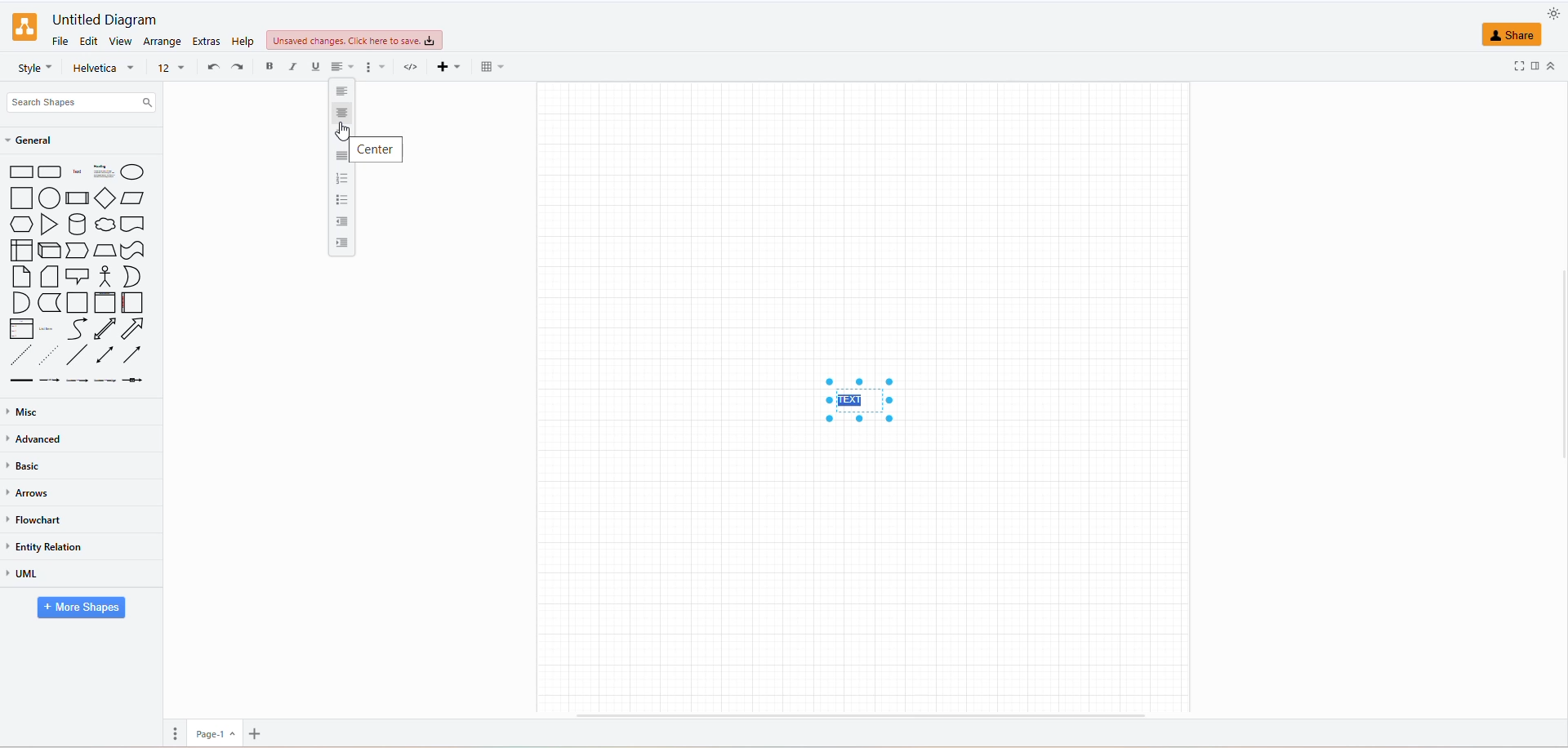 The image size is (1568, 748). Describe the element at coordinates (51, 546) in the screenshot. I see `entity relation` at that location.